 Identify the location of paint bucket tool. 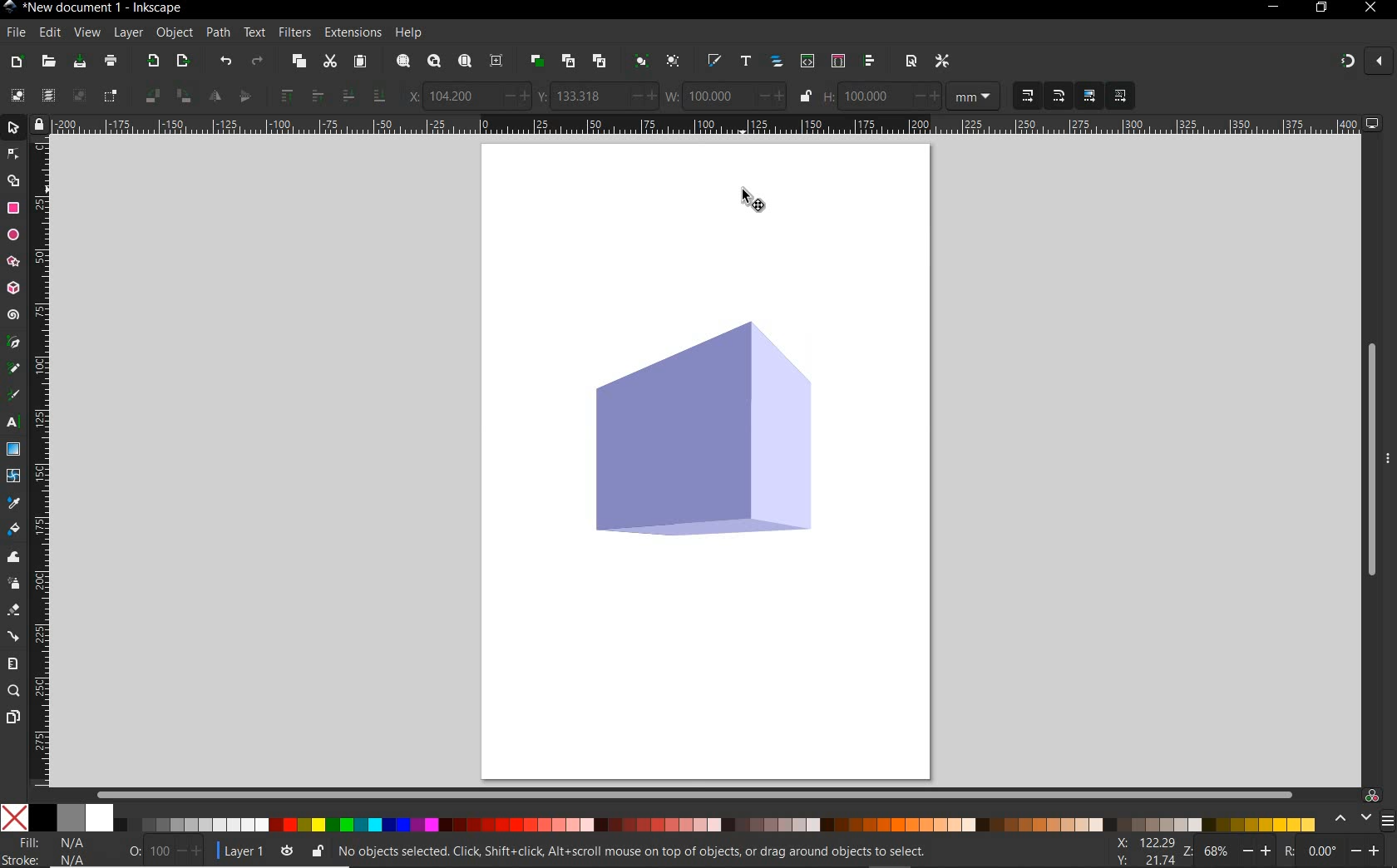
(15, 530).